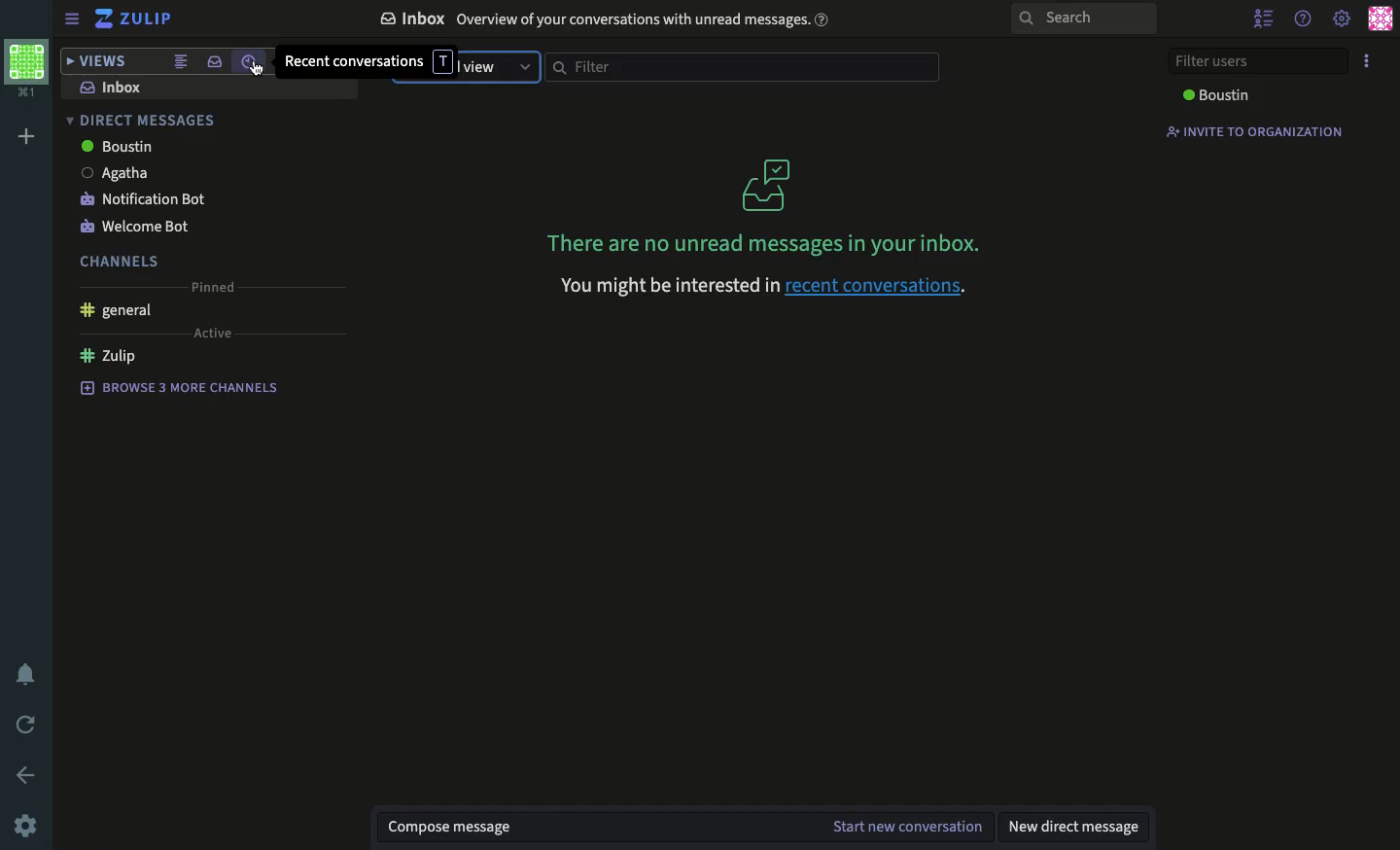 This screenshot has height=850, width=1400. What do you see at coordinates (110, 88) in the screenshot?
I see `inbox` at bounding box center [110, 88].